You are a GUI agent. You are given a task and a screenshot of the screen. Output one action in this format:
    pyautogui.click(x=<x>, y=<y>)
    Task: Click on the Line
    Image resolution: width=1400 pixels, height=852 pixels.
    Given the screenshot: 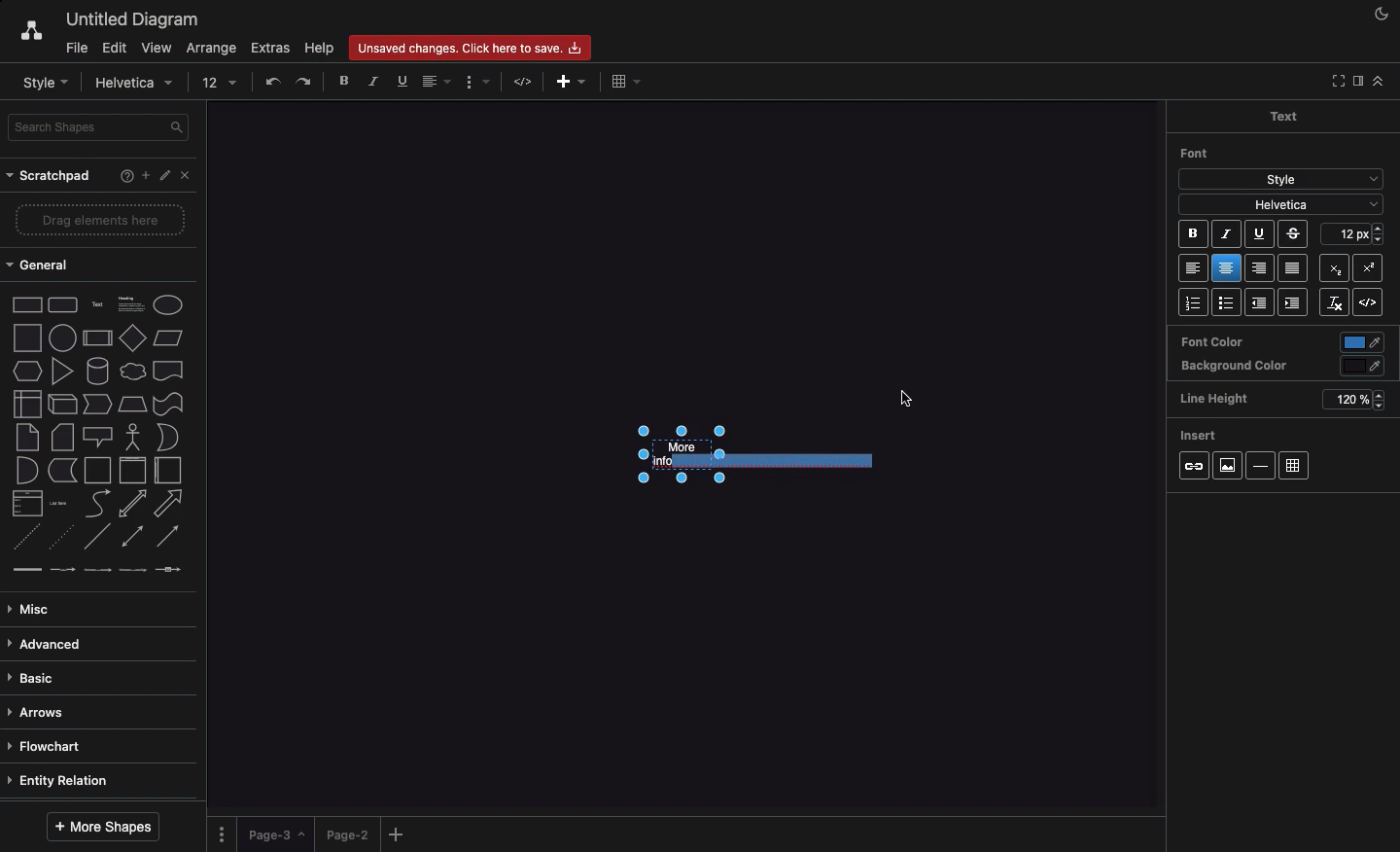 What is the action you would take?
    pyautogui.click(x=97, y=536)
    